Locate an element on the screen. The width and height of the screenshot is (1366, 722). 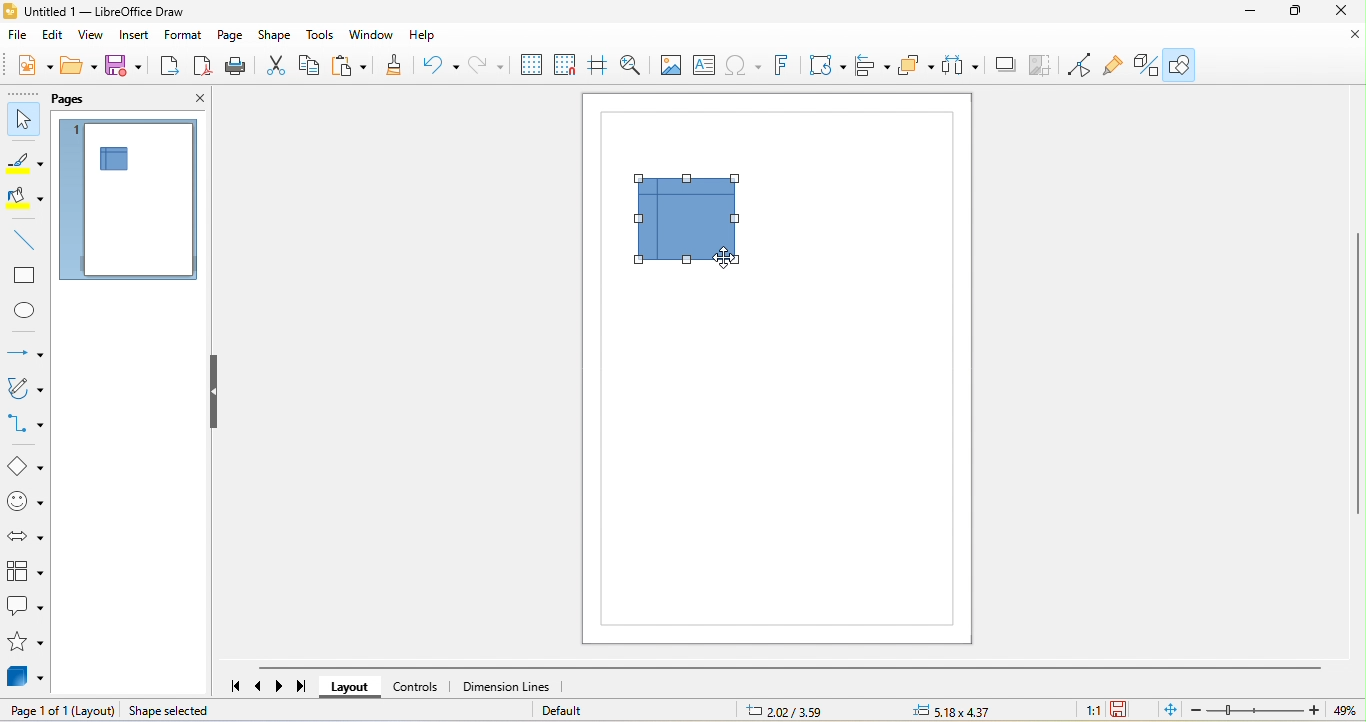
49% is located at coordinates (1348, 711).